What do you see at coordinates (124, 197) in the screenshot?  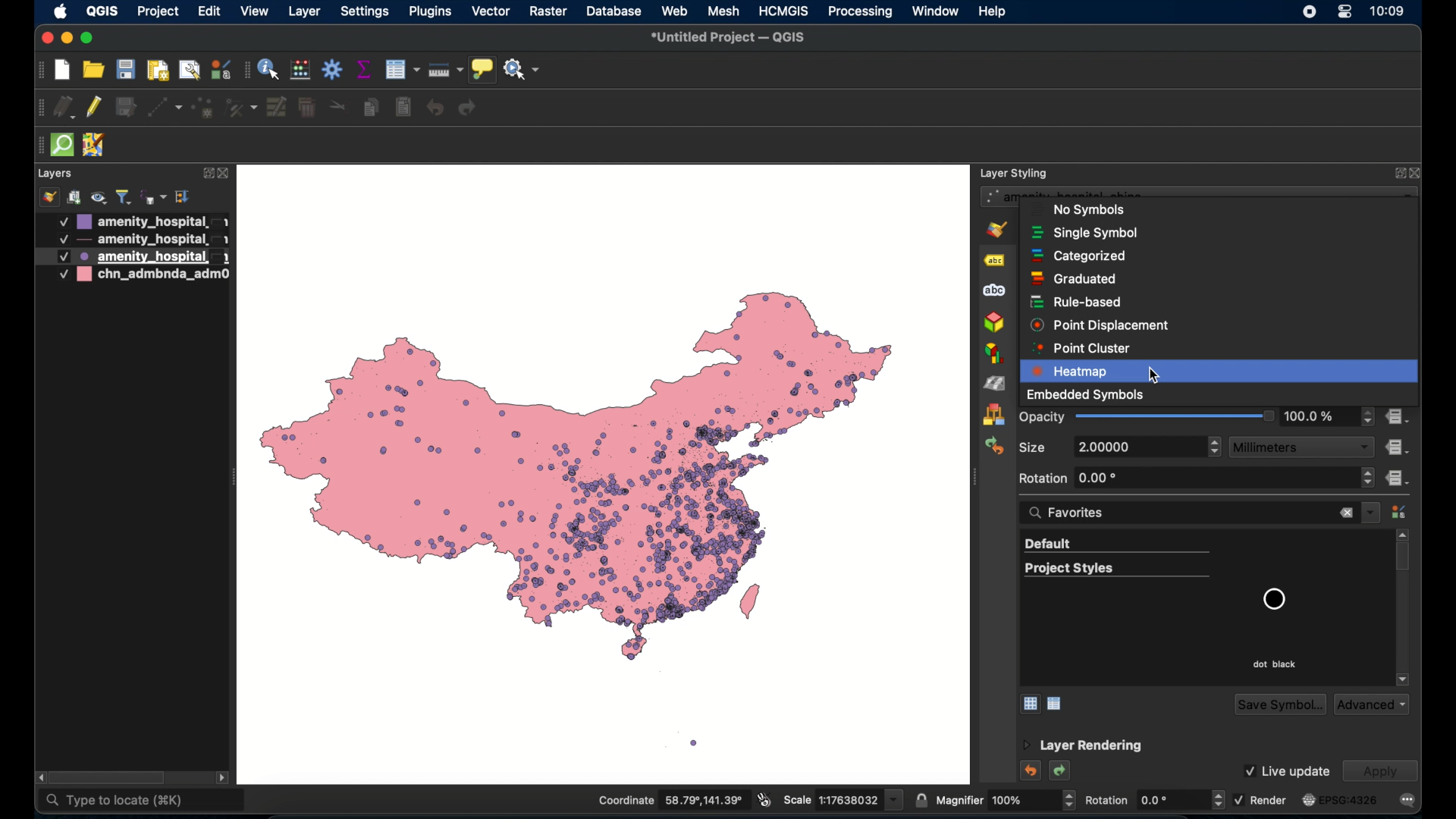 I see `filter legend` at bounding box center [124, 197].